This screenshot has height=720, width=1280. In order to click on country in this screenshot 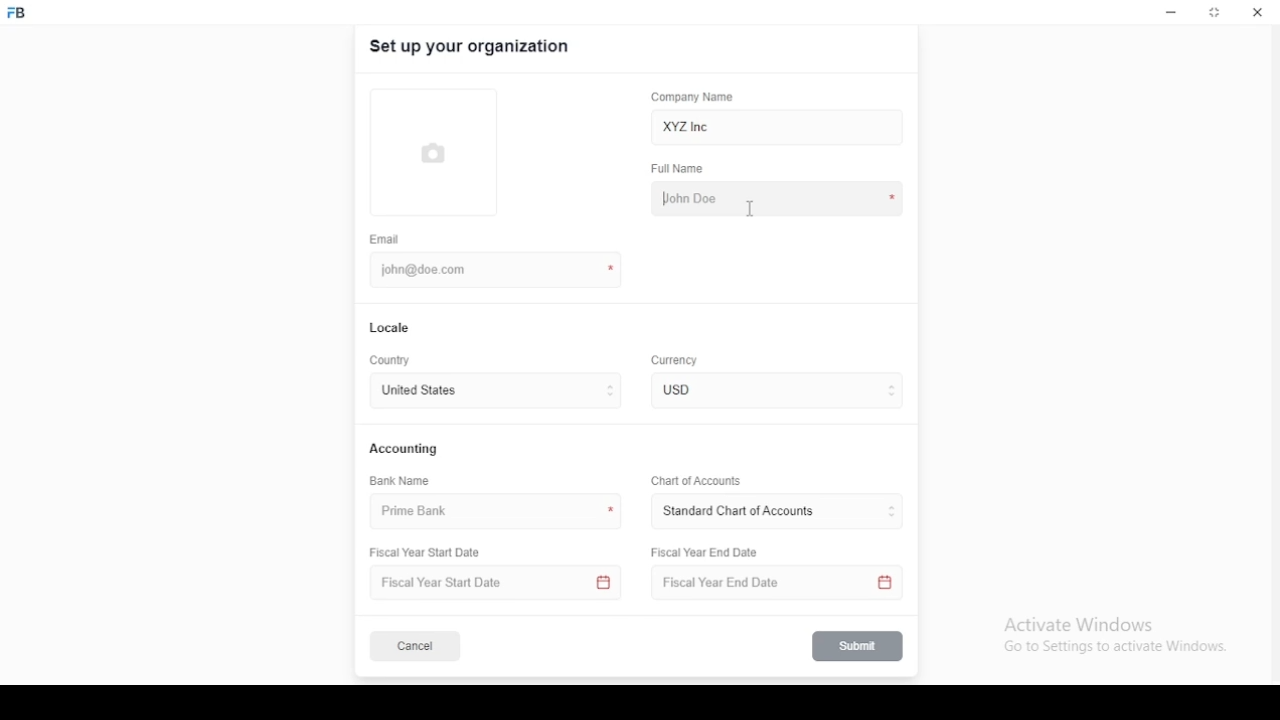, I will do `click(392, 361)`.